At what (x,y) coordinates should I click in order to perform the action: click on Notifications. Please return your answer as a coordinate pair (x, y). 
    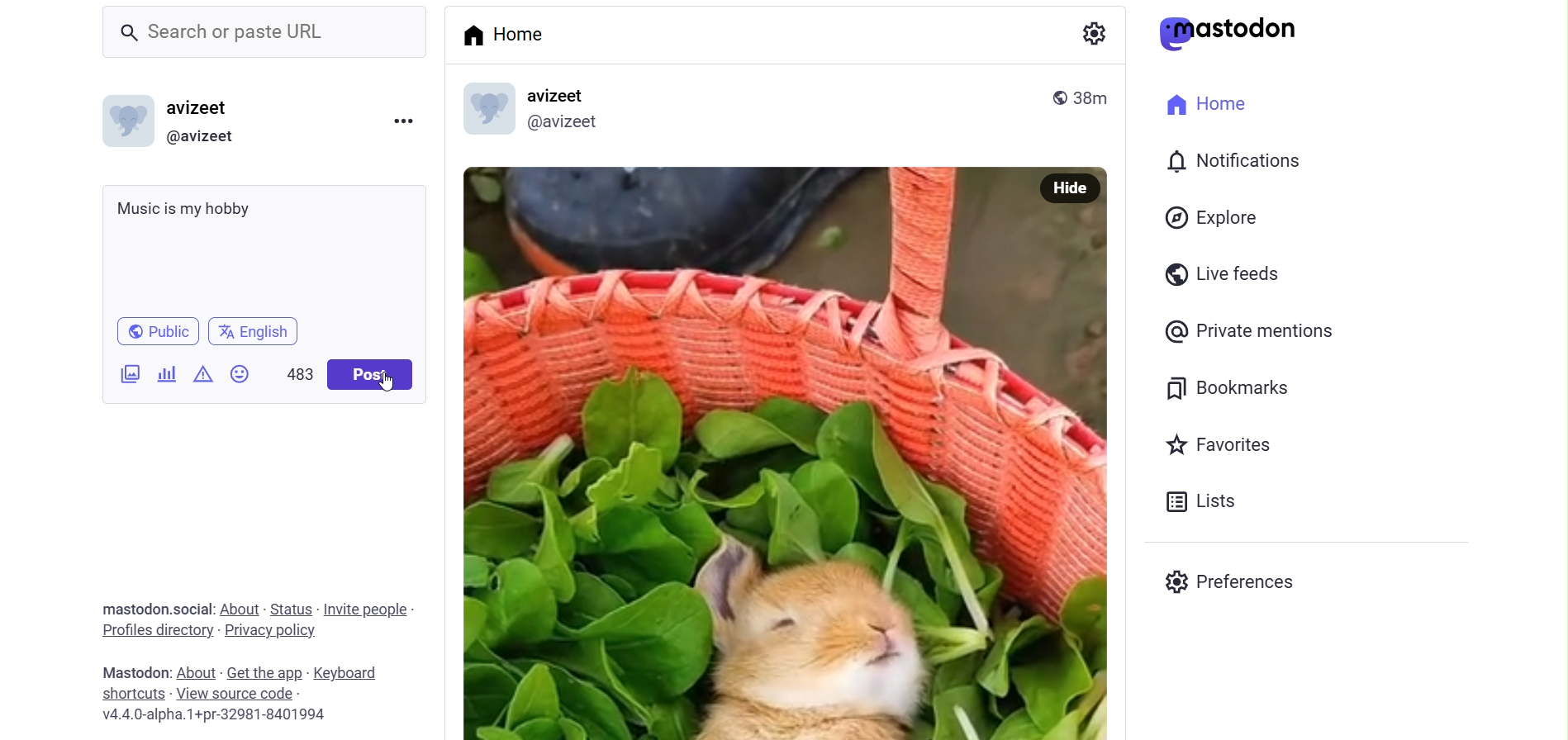
    Looking at the image, I should click on (1238, 161).